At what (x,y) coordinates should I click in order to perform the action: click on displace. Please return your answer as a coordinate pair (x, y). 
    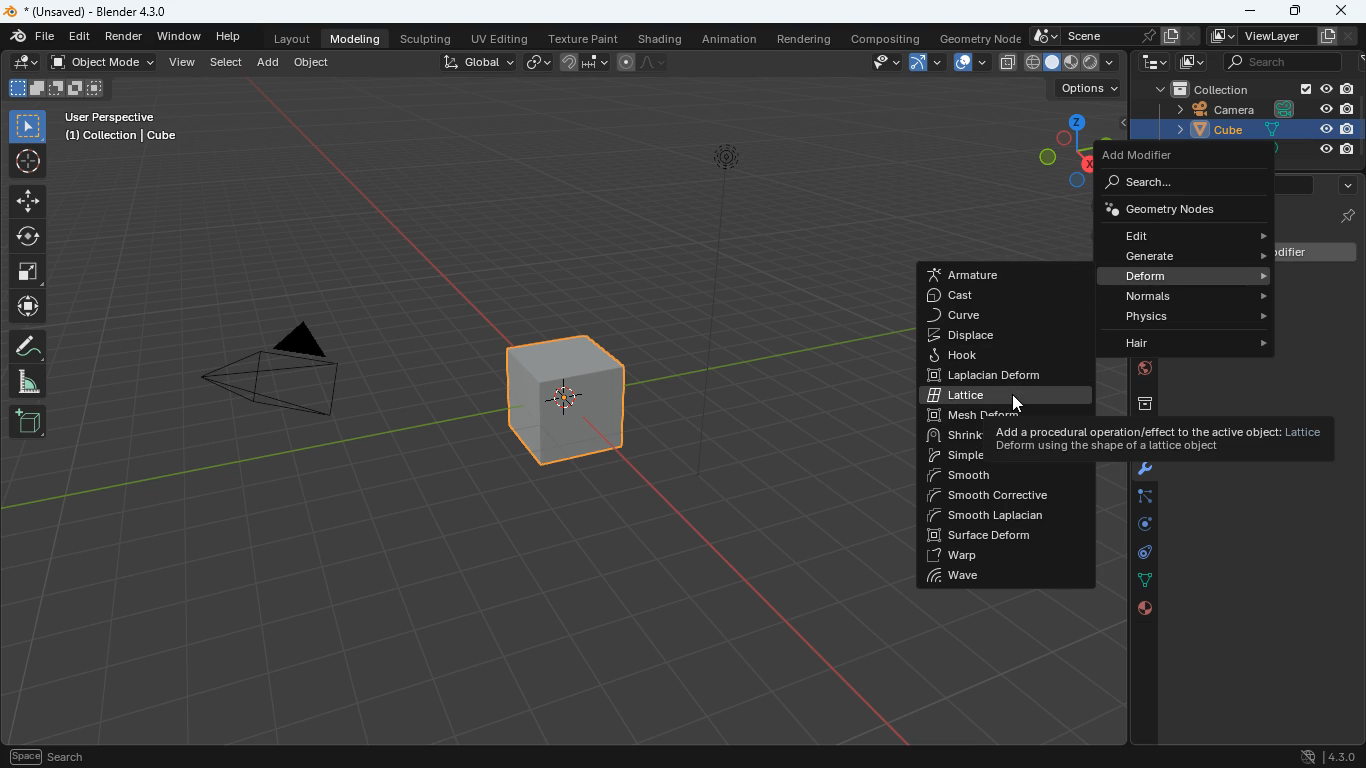
    Looking at the image, I should click on (972, 336).